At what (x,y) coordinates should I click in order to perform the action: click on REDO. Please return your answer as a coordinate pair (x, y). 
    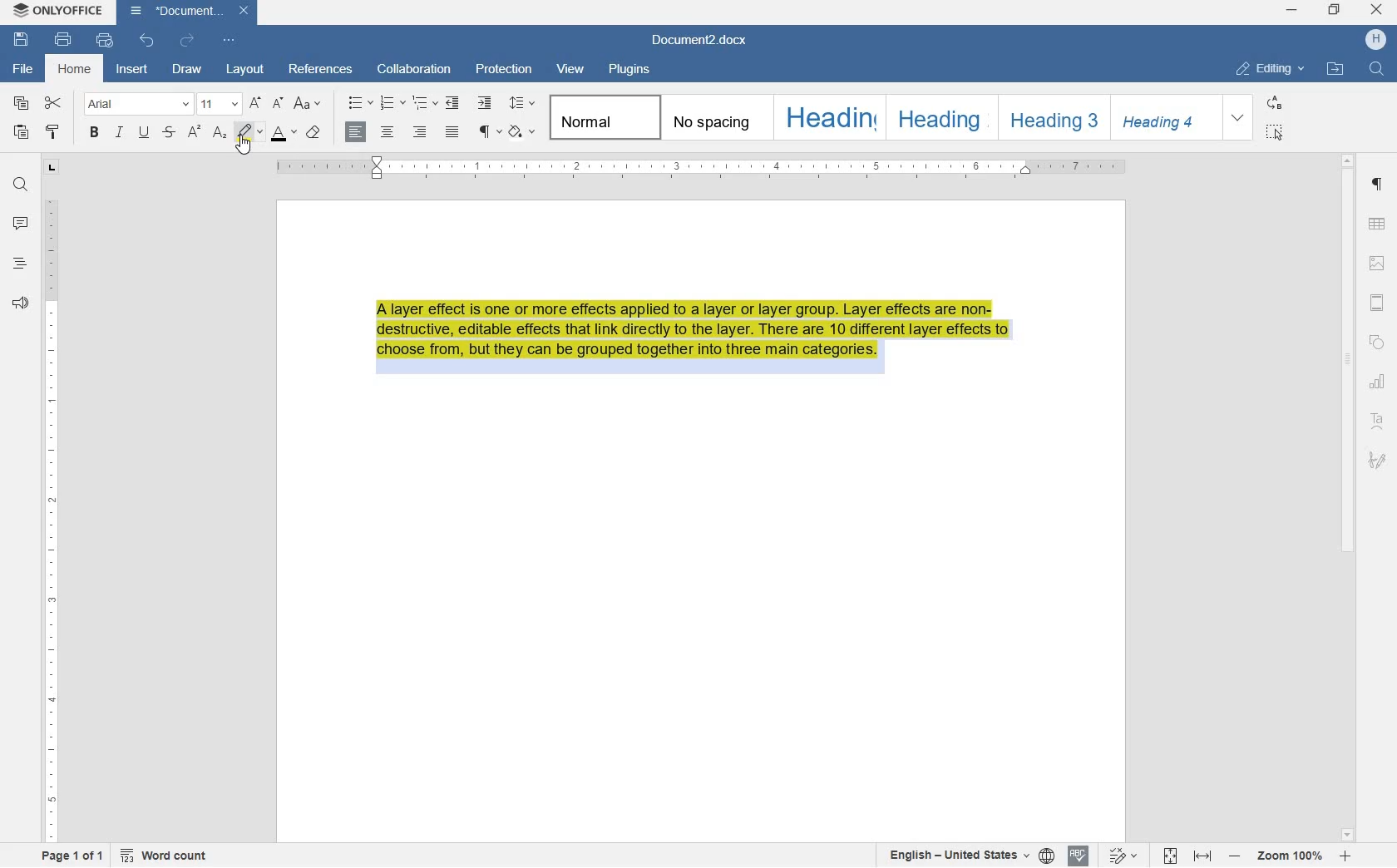
    Looking at the image, I should click on (187, 42).